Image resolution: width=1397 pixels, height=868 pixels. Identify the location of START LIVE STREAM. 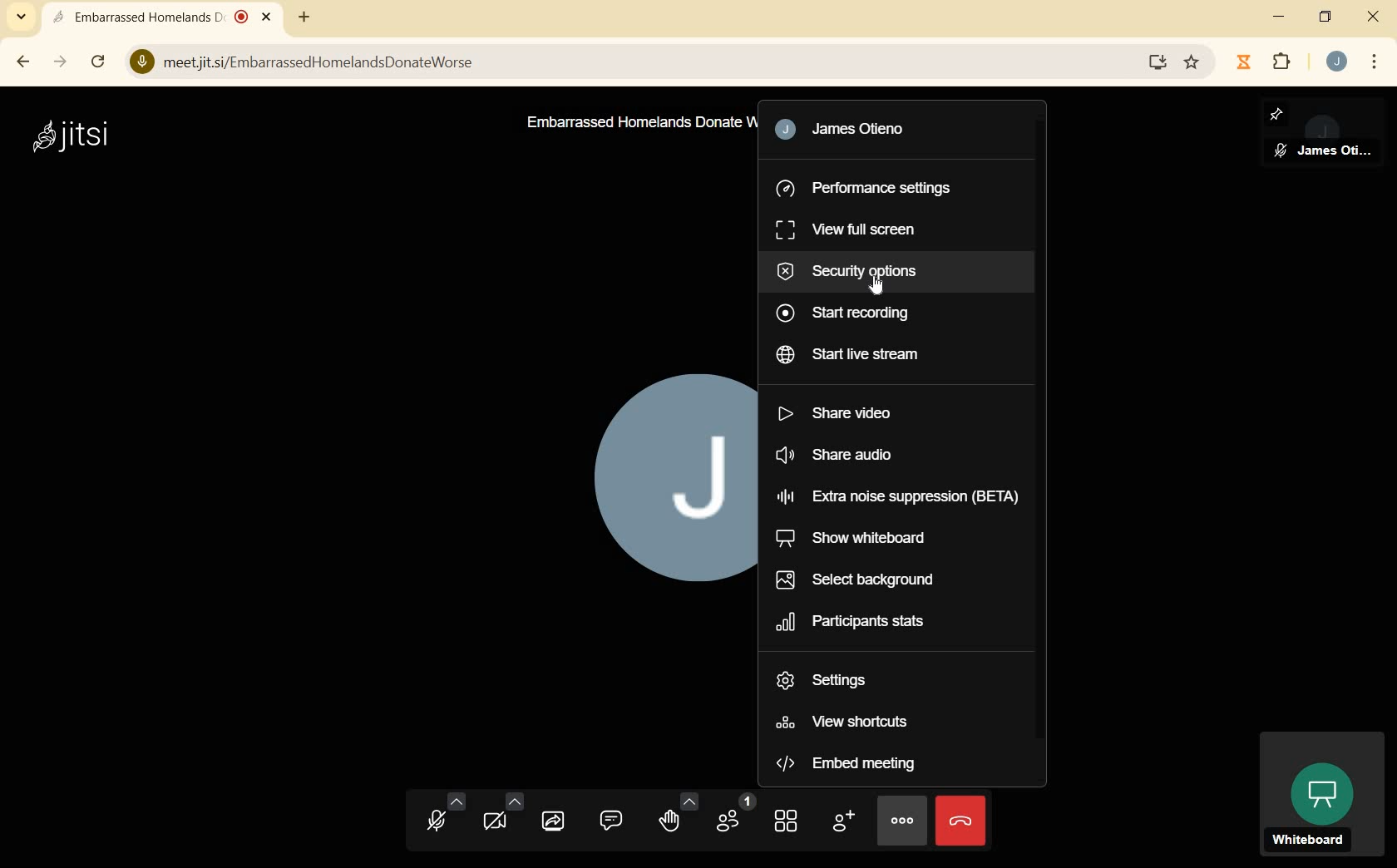
(884, 354).